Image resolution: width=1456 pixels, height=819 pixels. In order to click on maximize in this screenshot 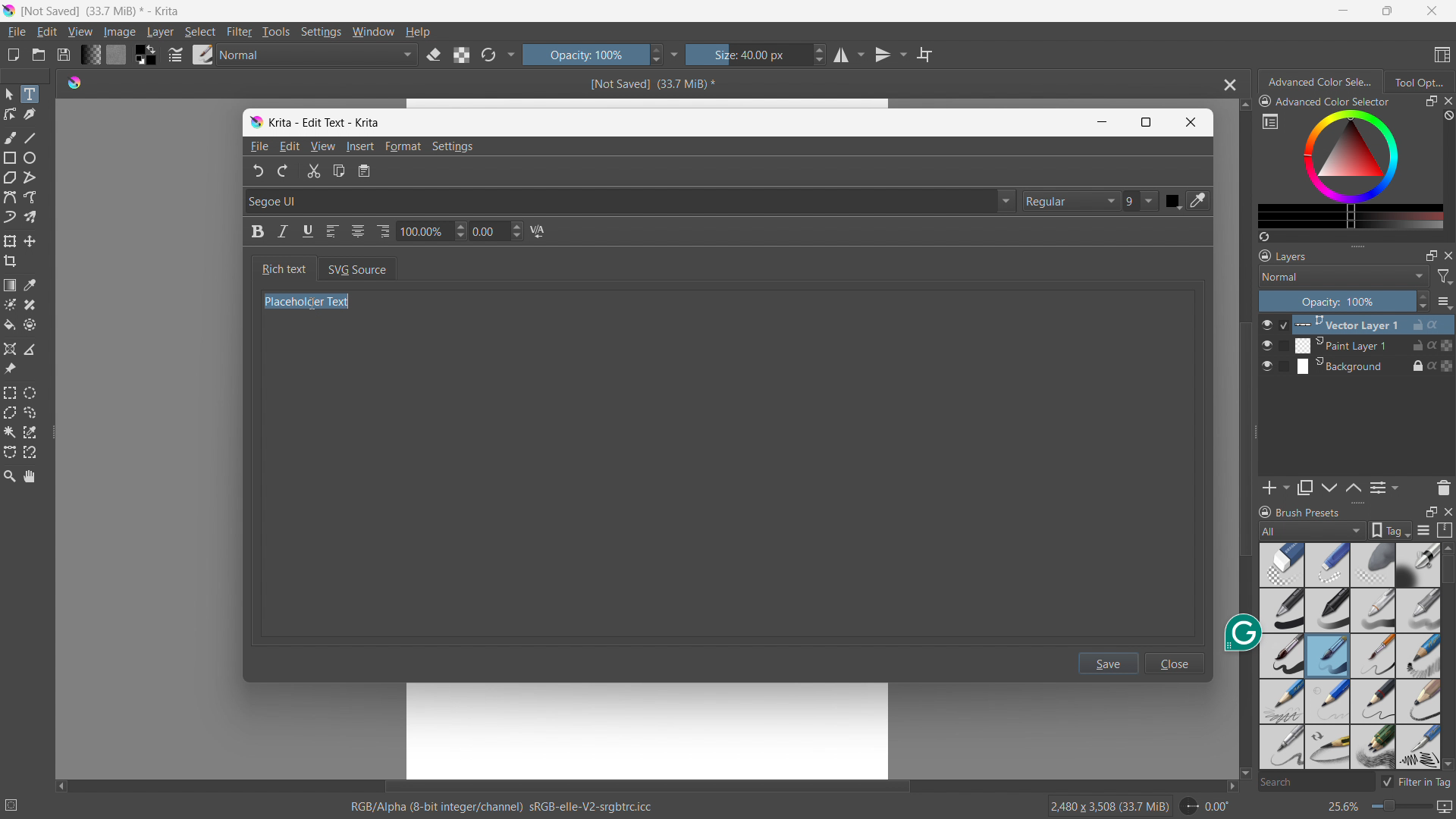, I will do `click(1431, 255)`.